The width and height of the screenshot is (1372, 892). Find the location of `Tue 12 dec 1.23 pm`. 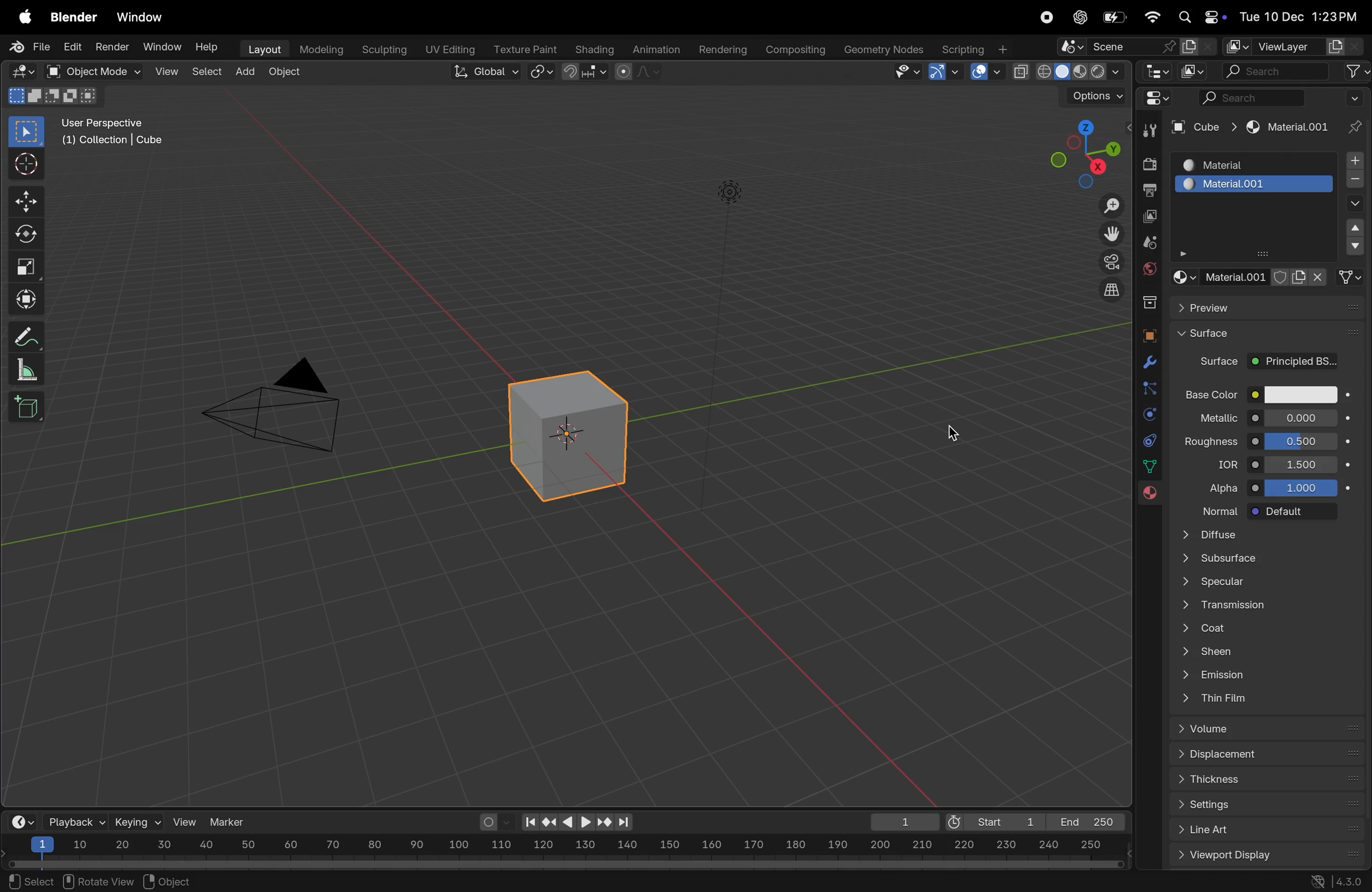

Tue 12 dec 1.23 pm is located at coordinates (1297, 17).